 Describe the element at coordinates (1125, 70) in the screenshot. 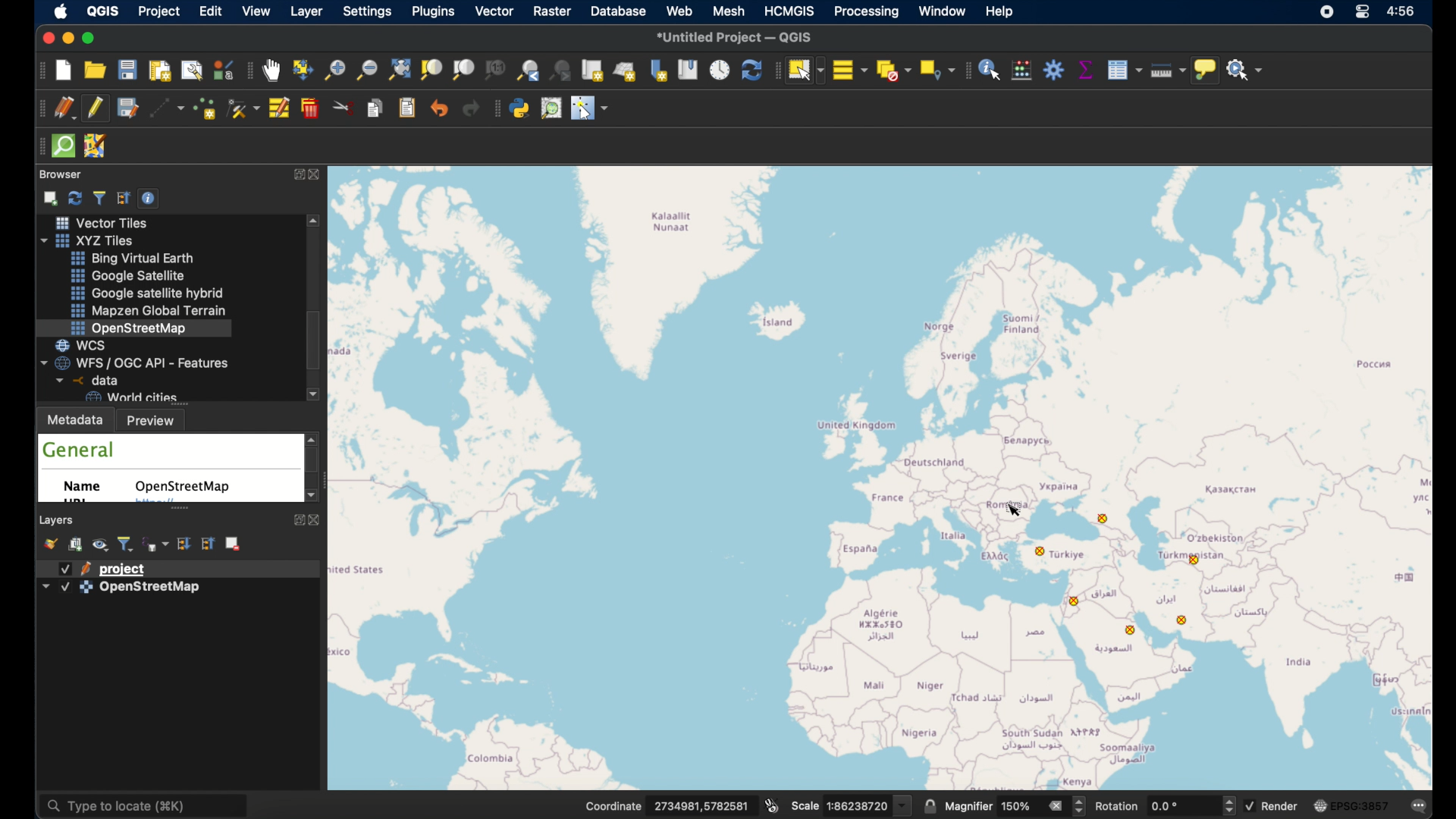

I see `show attribute table` at that location.